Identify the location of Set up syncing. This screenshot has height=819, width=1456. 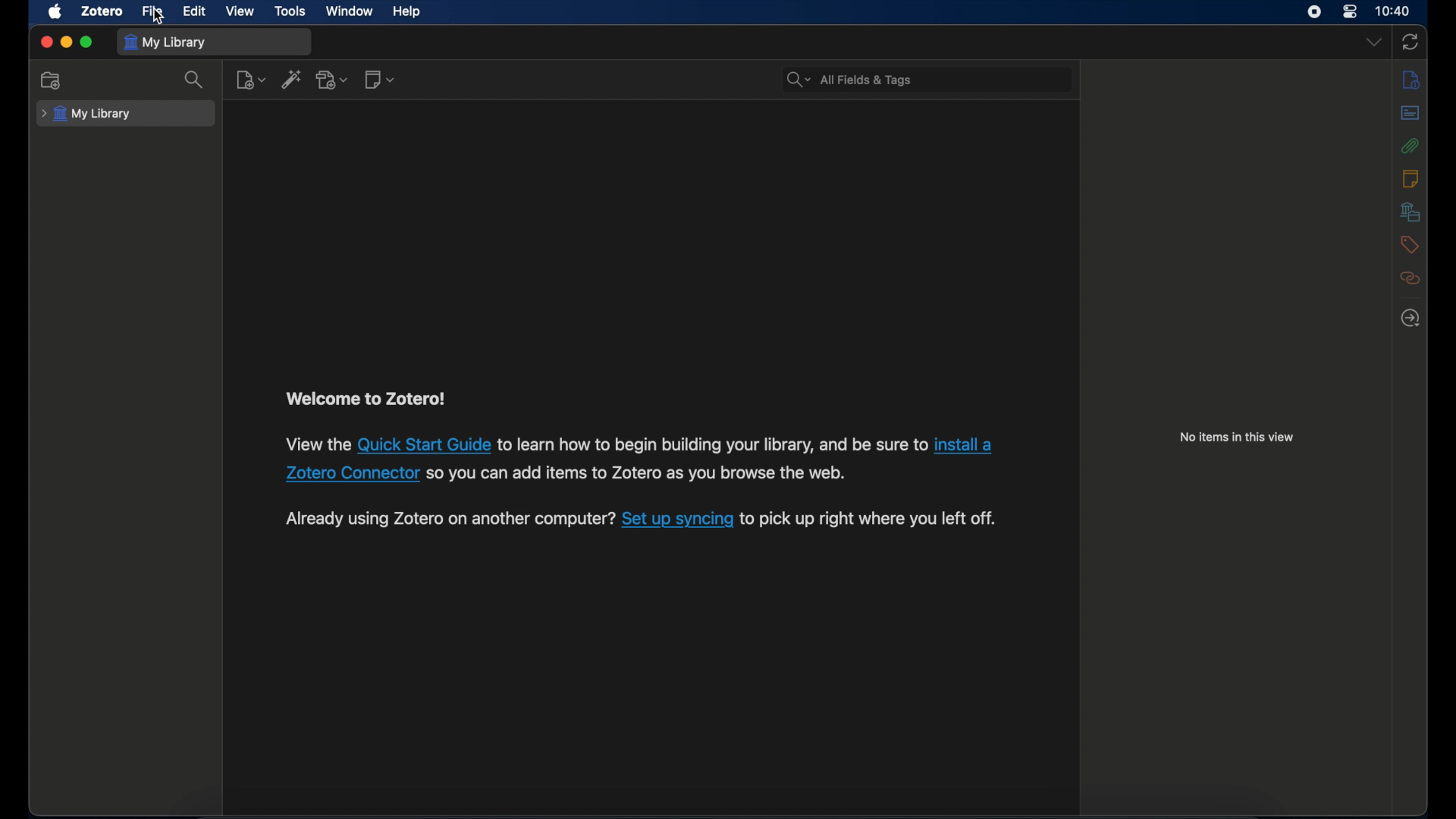
(678, 521).